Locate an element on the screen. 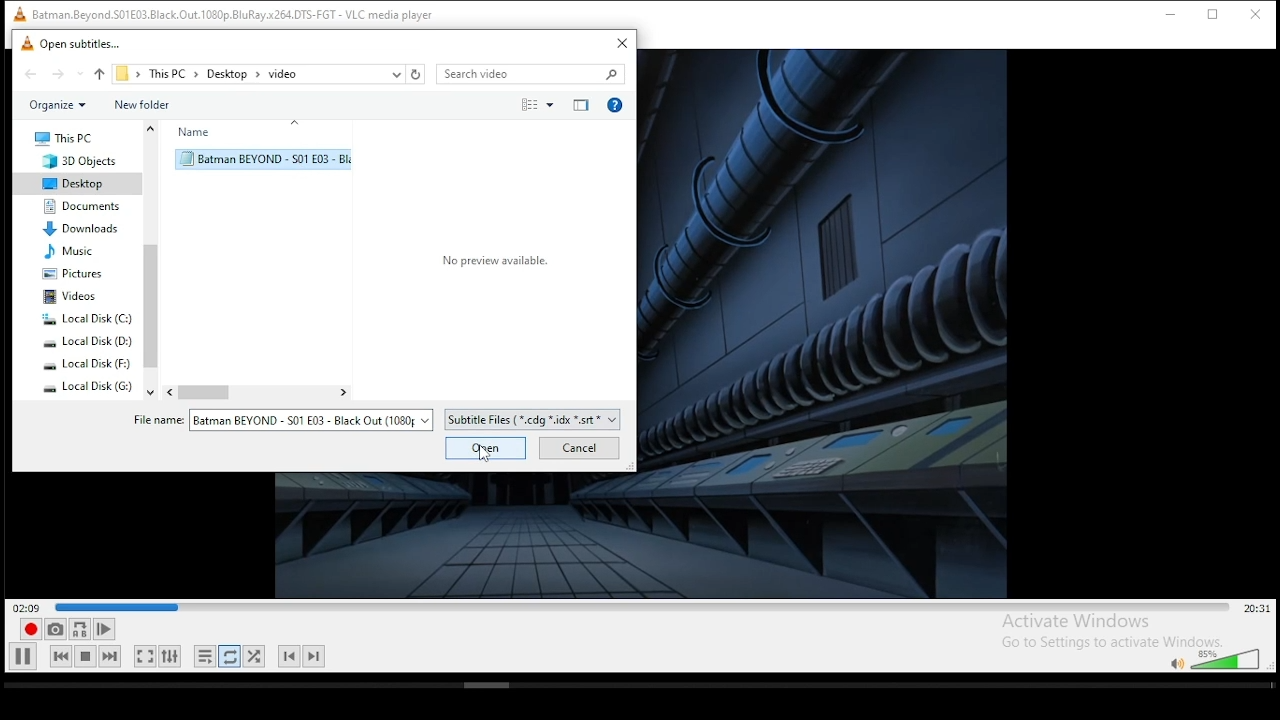 This screenshot has height=720, width=1280. minimize is located at coordinates (1168, 16).